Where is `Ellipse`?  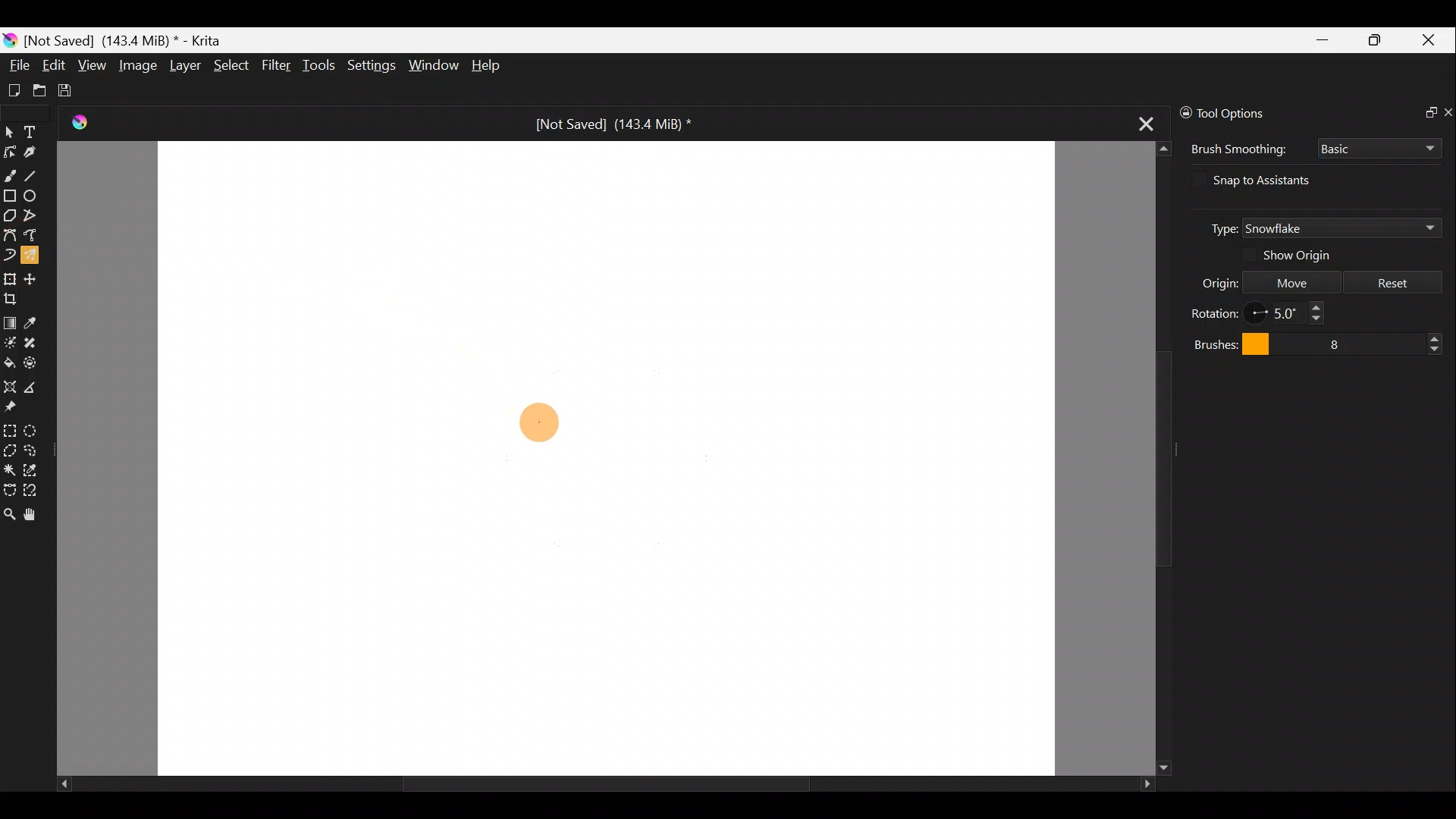 Ellipse is located at coordinates (31, 196).